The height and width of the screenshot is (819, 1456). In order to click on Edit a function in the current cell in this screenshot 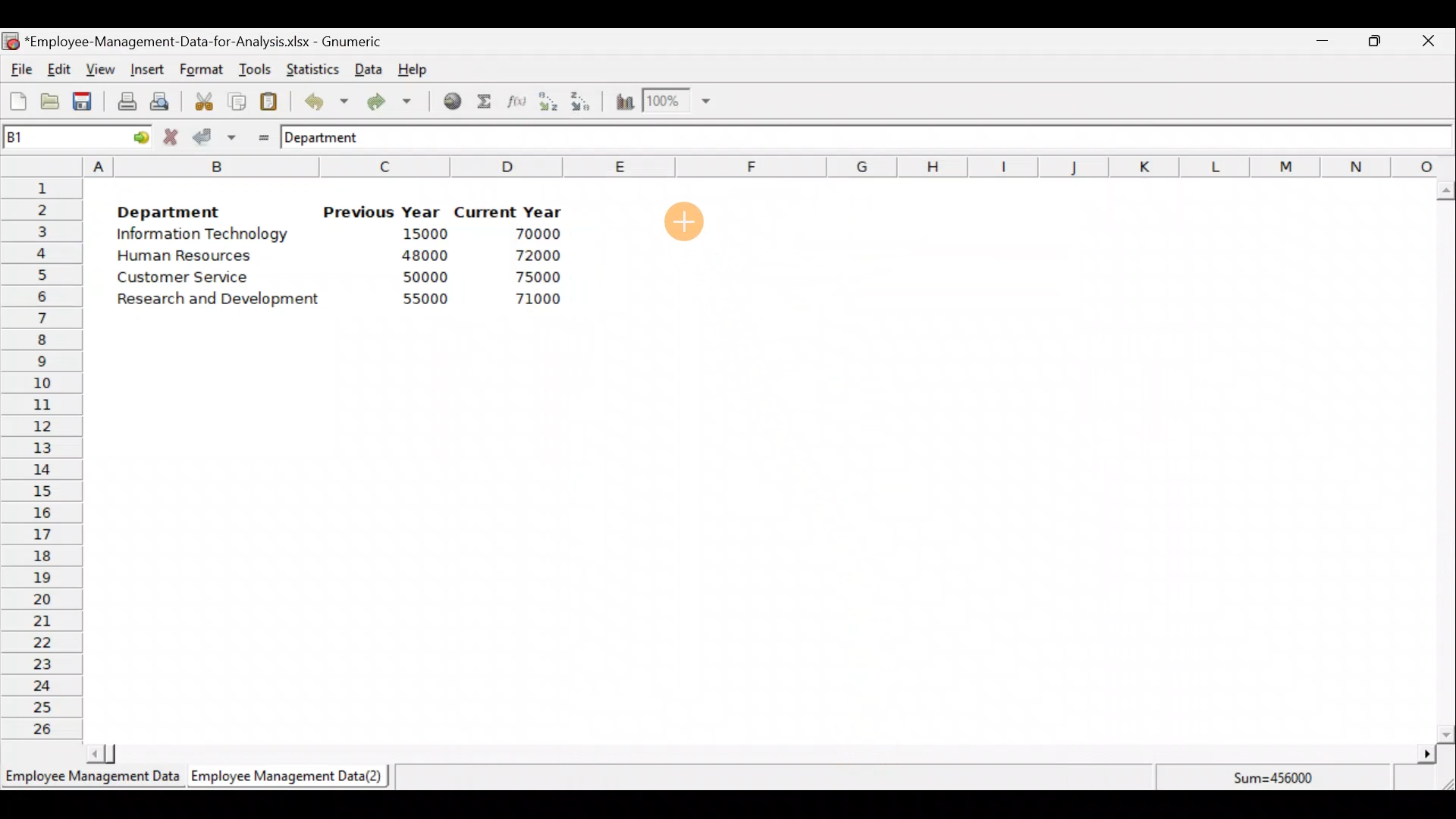, I will do `click(516, 100)`.